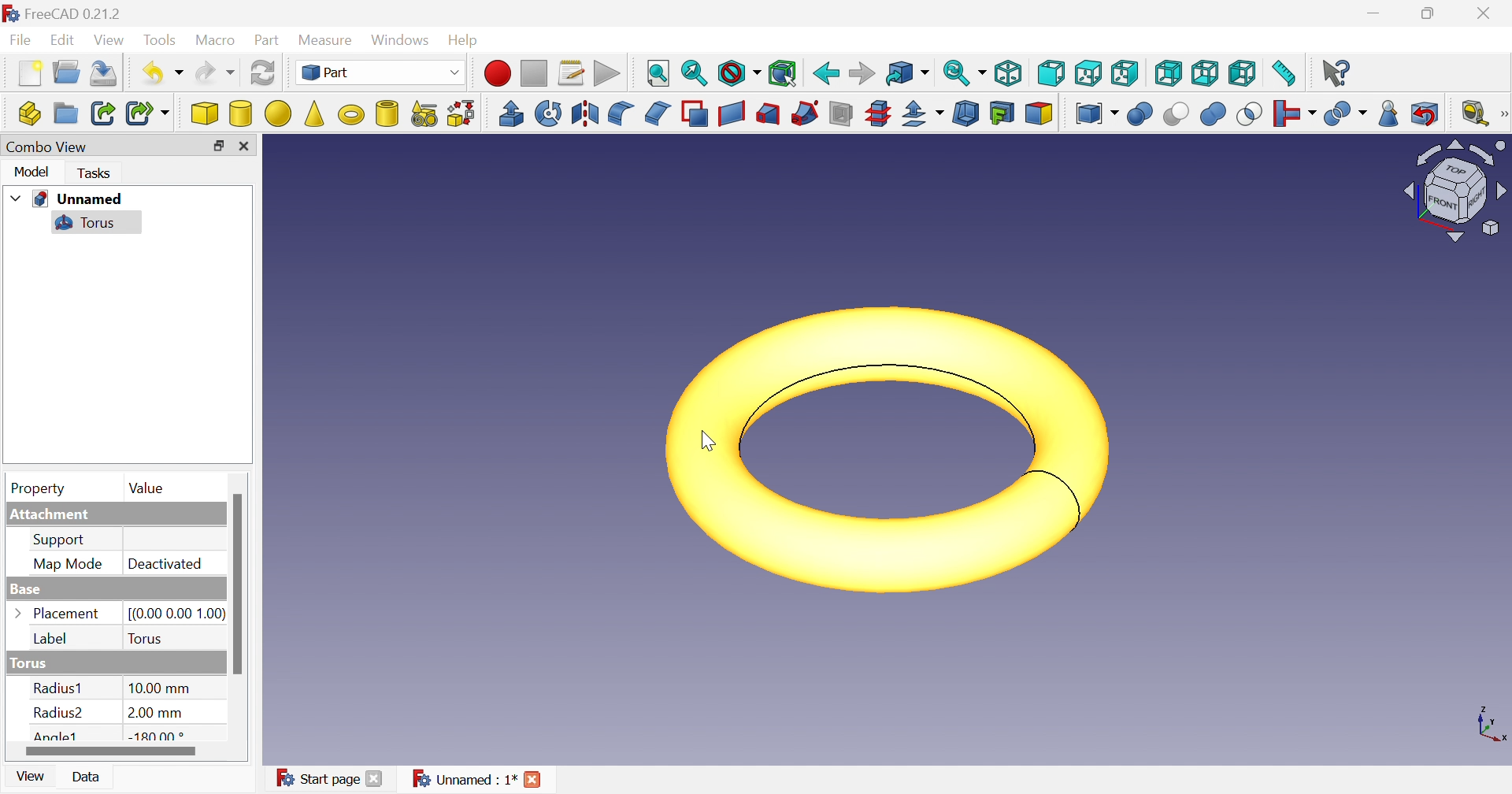  Describe the element at coordinates (877, 113) in the screenshot. I see `Sub-sections` at that location.